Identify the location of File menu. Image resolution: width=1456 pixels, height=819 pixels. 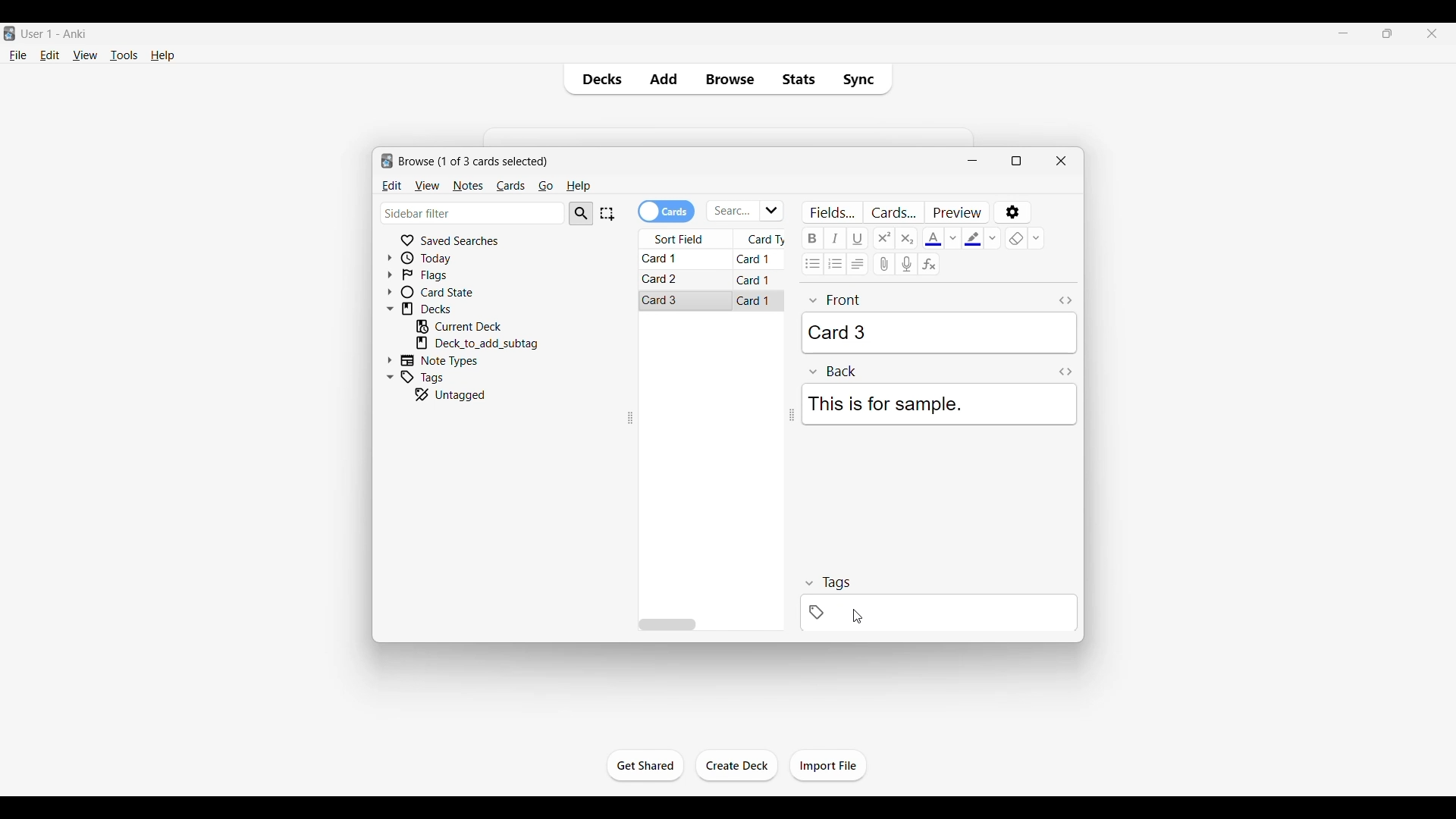
(18, 55).